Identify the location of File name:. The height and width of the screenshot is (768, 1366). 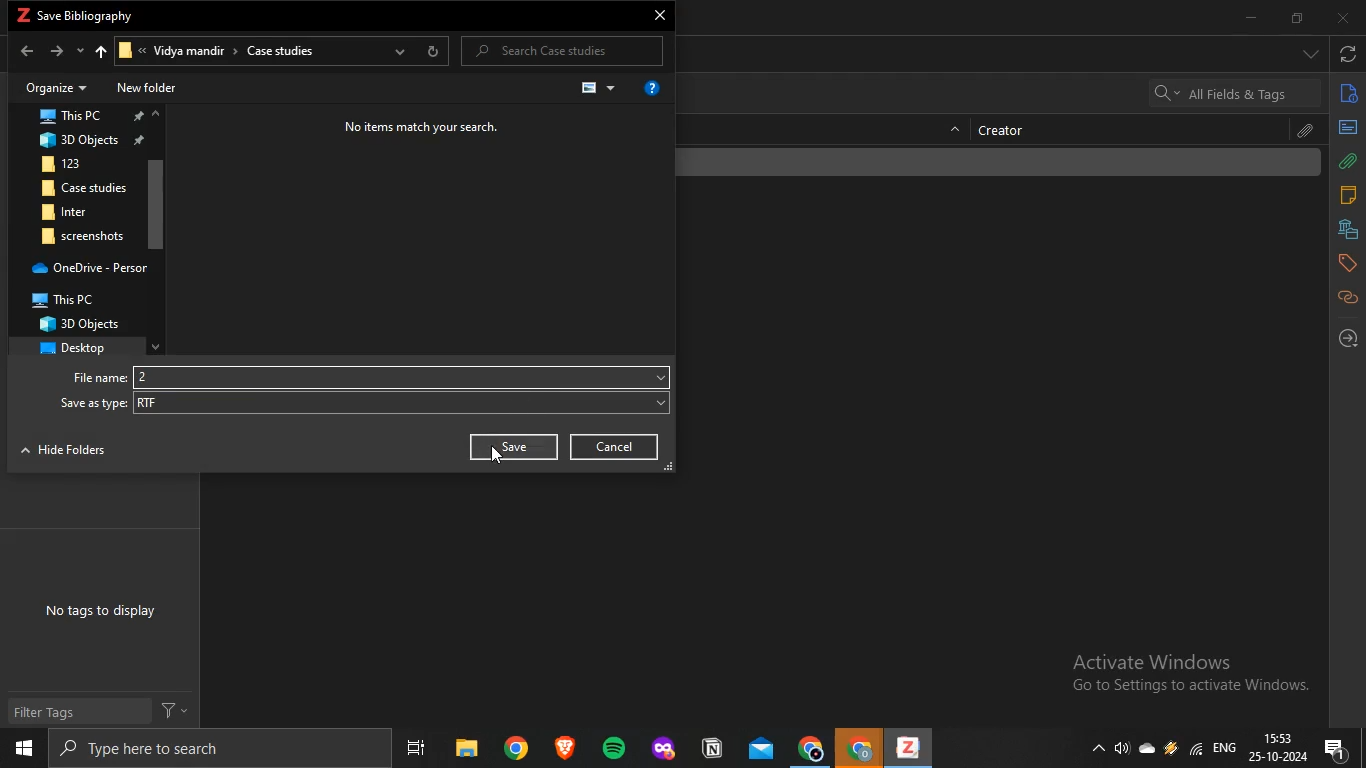
(103, 381).